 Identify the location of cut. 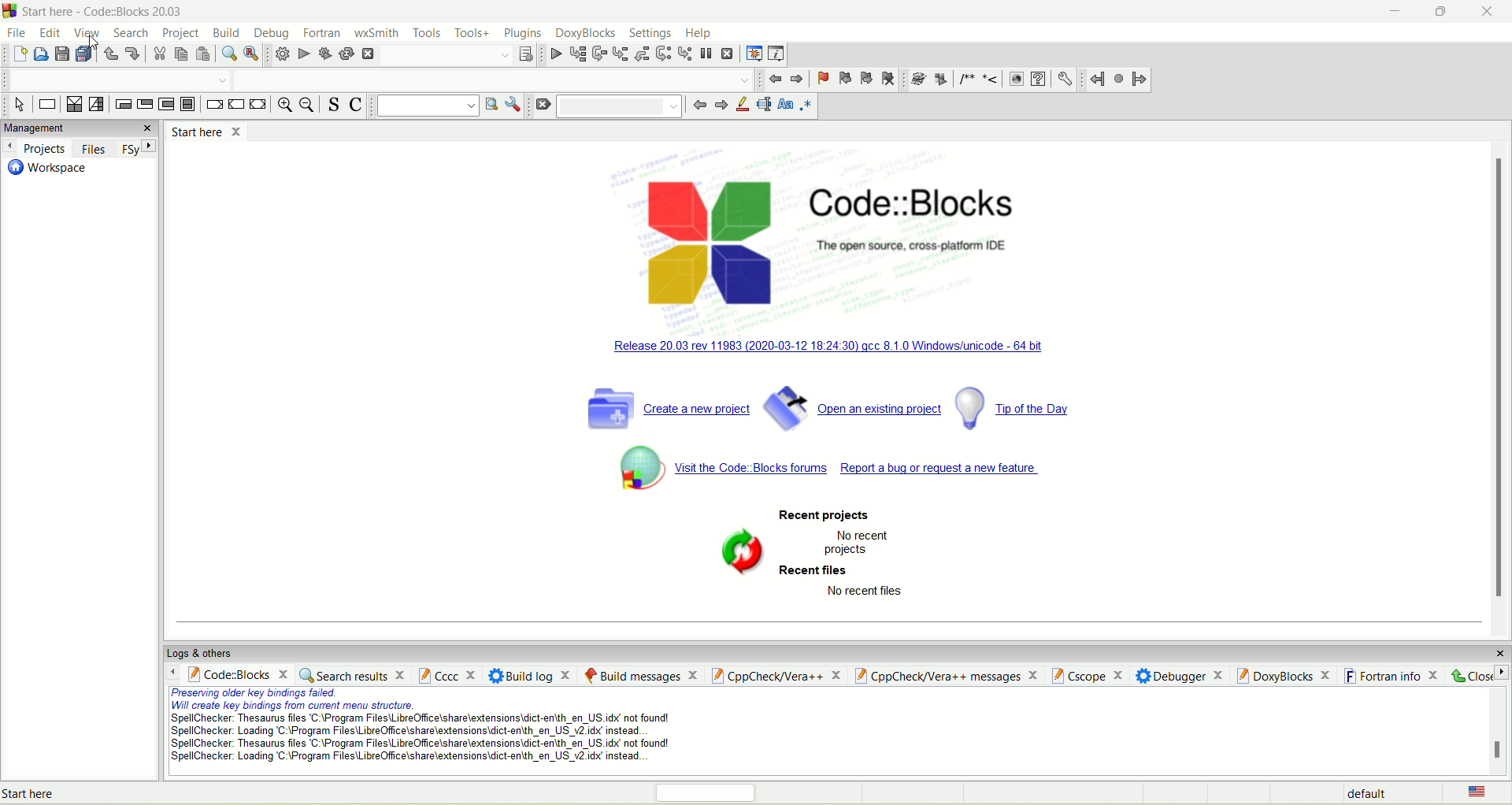
(158, 55).